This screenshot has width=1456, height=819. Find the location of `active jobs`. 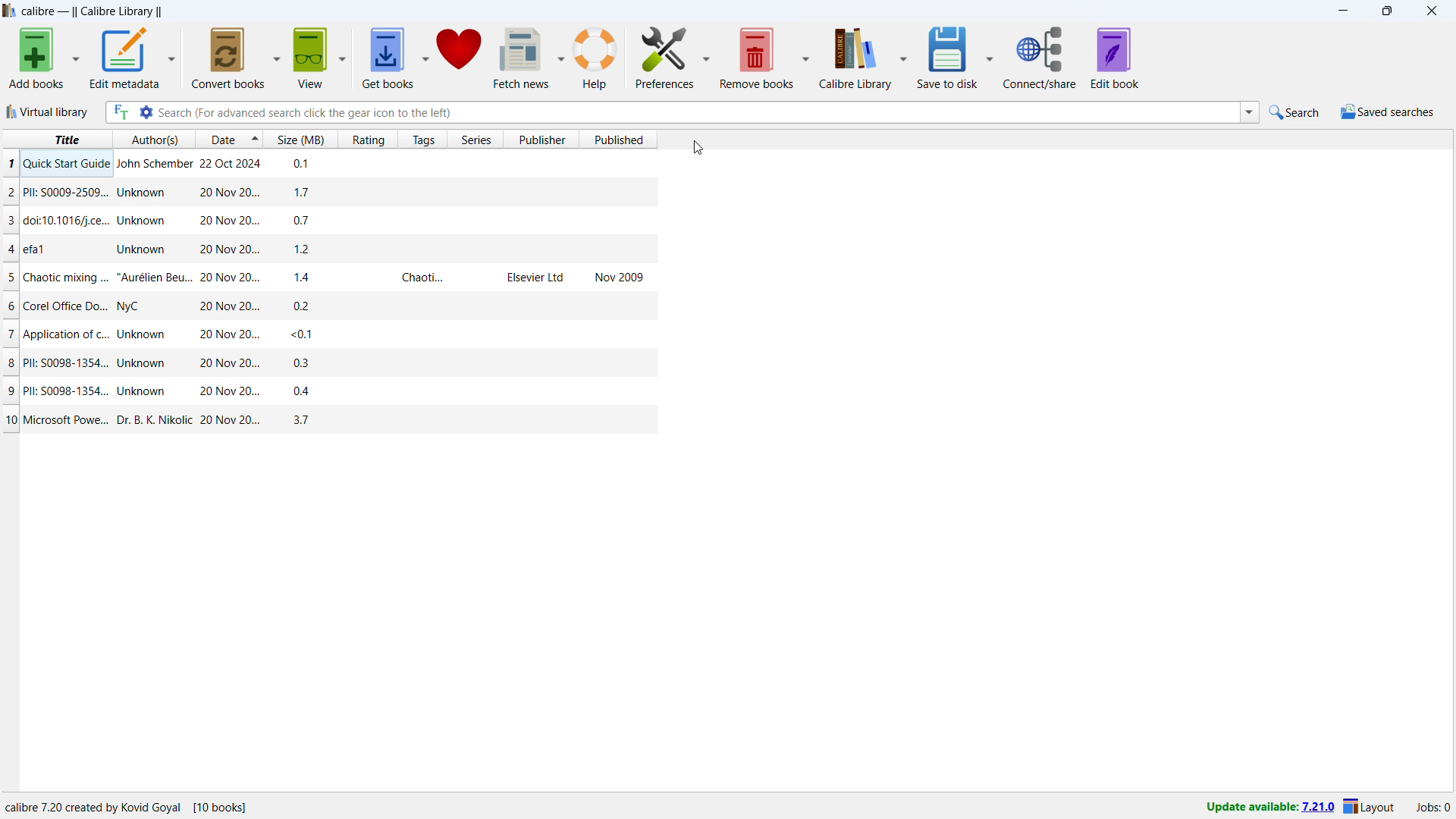

active jobs is located at coordinates (1434, 808).